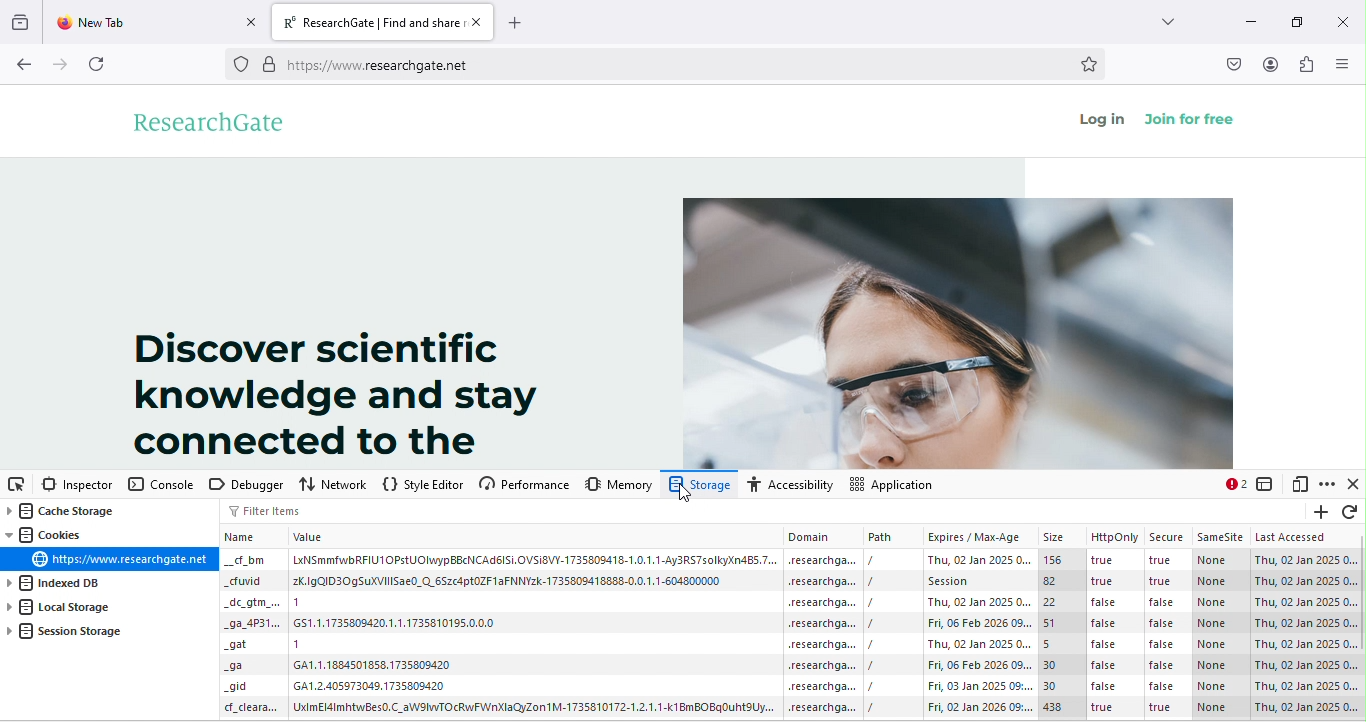 This screenshot has width=1366, height=722. What do you see at coordinates (1292, 536) in the screenshot?
I see `last accessed` at bounding box center [1292, 536].